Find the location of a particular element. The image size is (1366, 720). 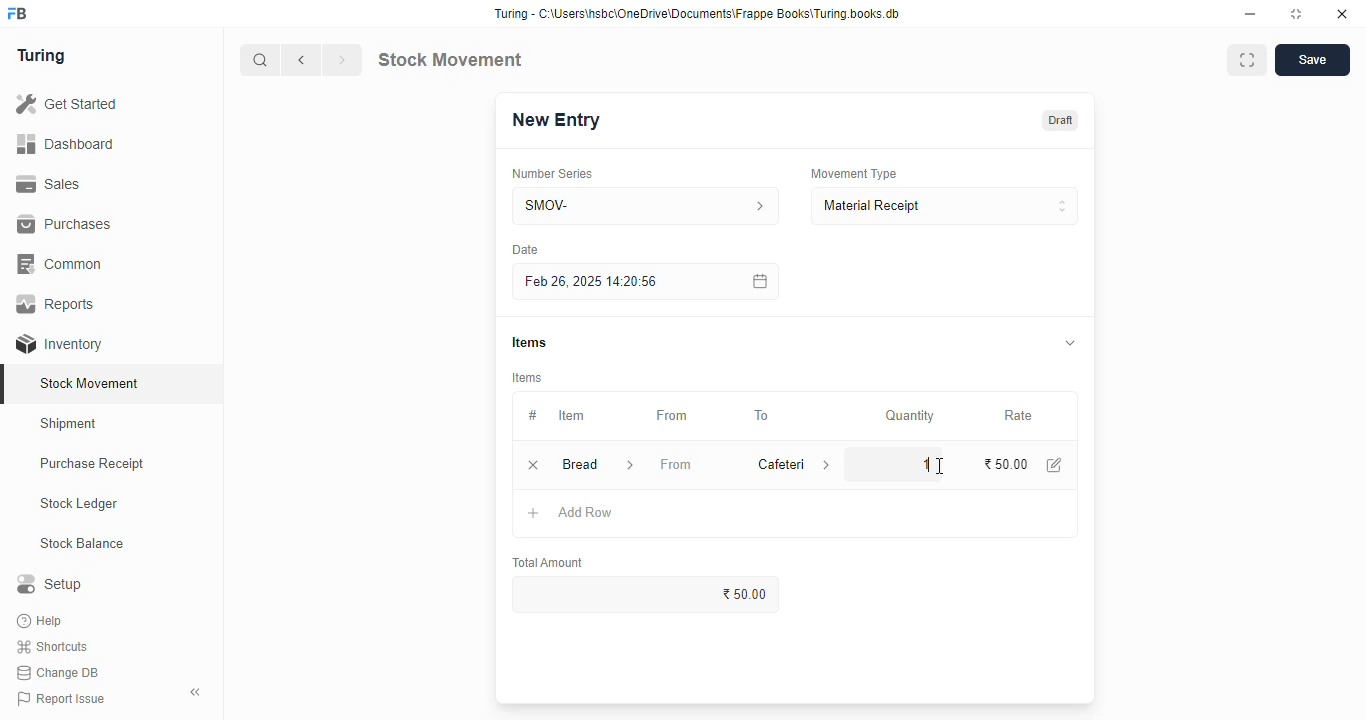

toggle sidebar is located at coordinates (196, 692).